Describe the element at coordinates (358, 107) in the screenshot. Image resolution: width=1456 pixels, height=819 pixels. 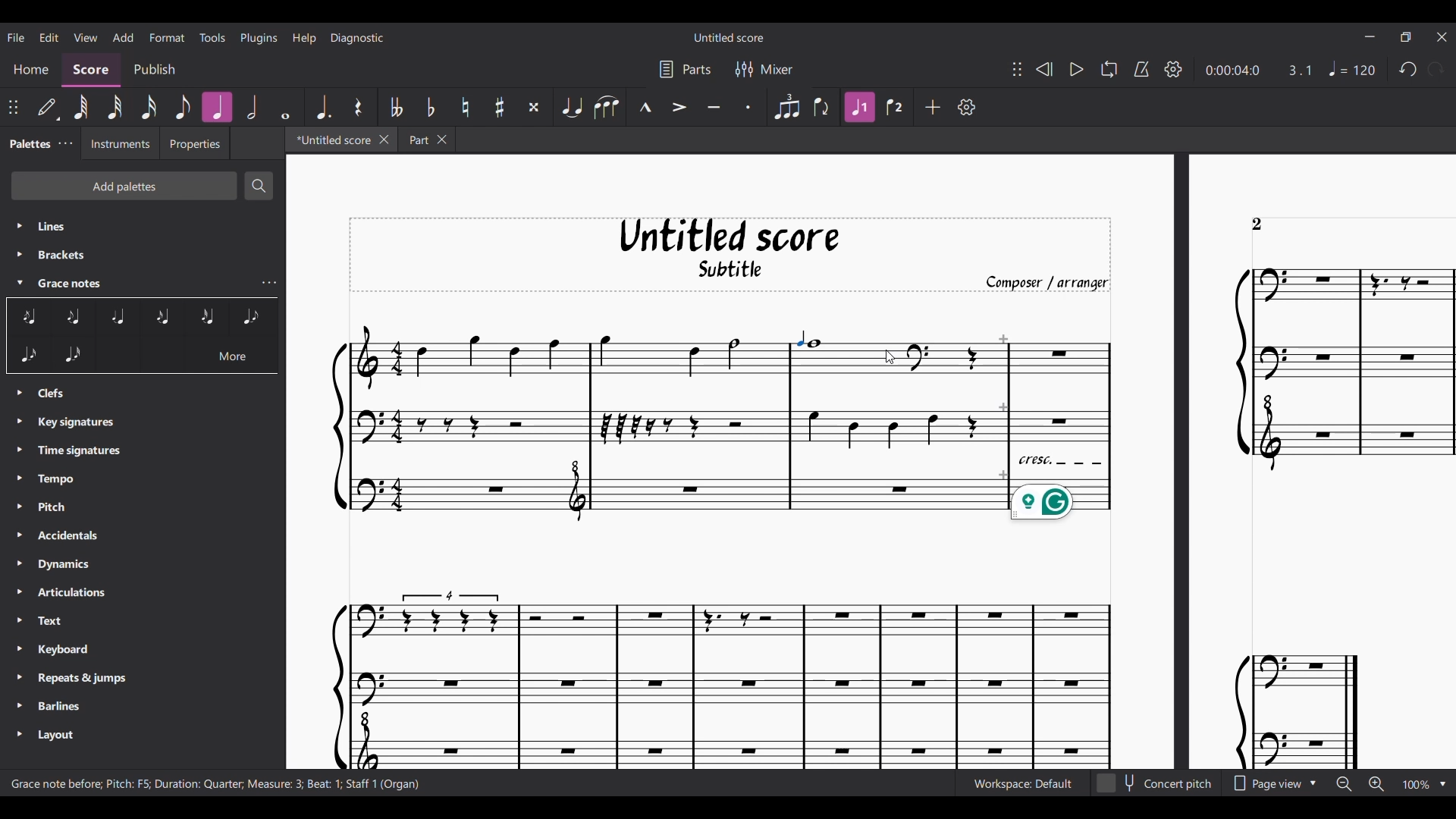
I see `Rest` at that location.